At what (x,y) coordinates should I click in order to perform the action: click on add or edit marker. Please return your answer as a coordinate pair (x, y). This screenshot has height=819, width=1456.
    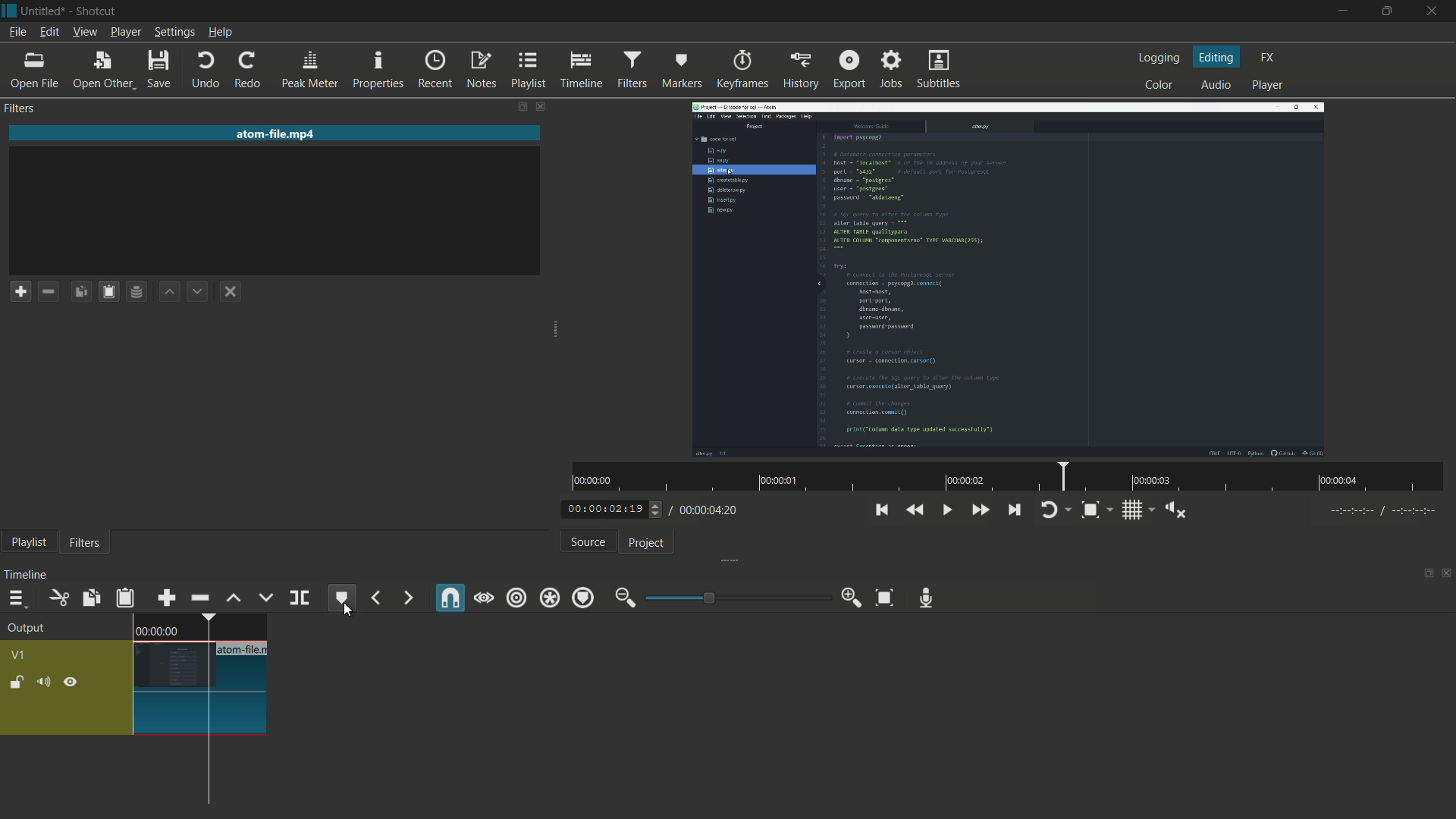
    Looking at the image, I should click on (344, 599).